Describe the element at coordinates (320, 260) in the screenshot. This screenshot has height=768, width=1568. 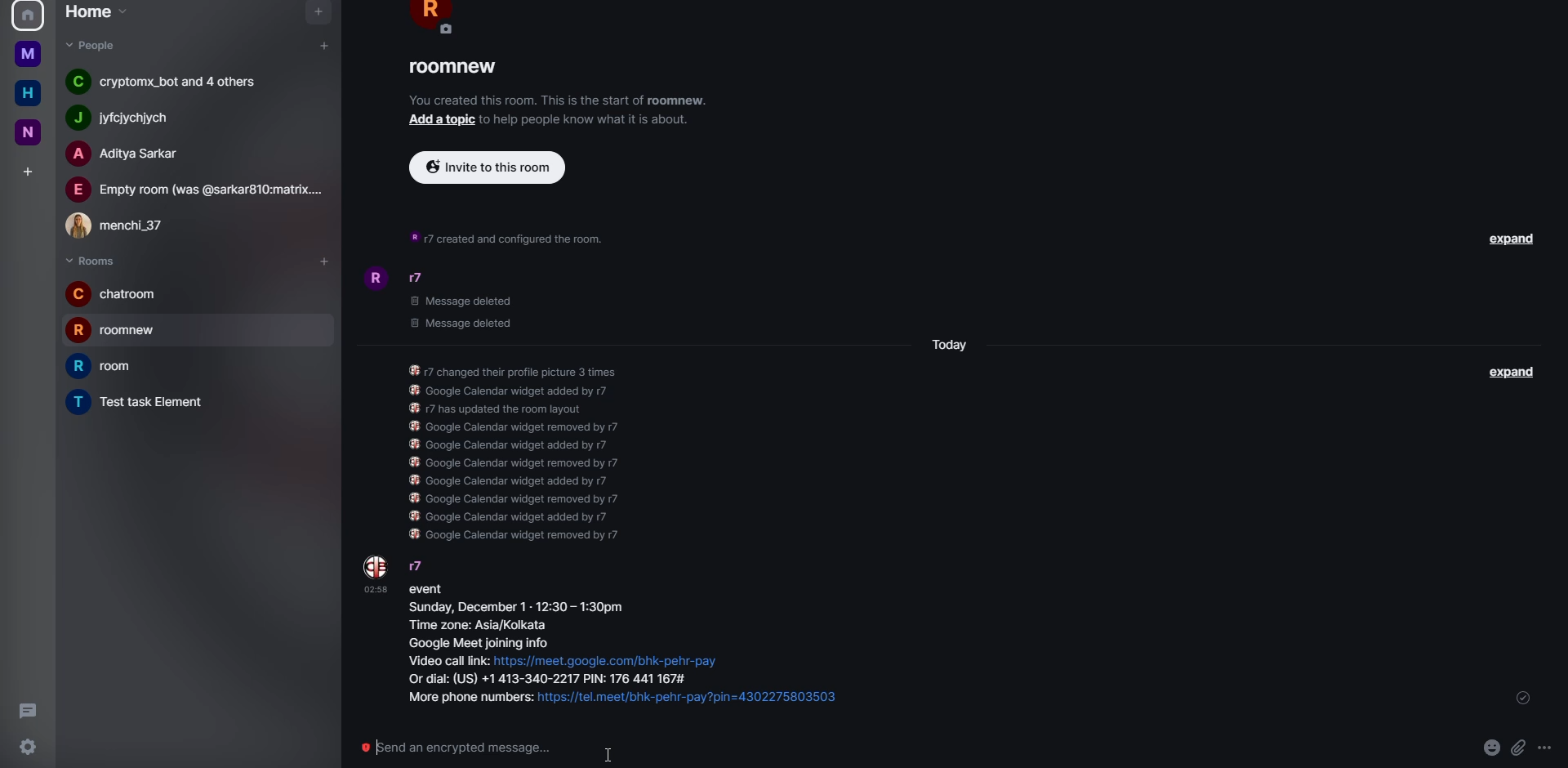
I see `add` at that location.